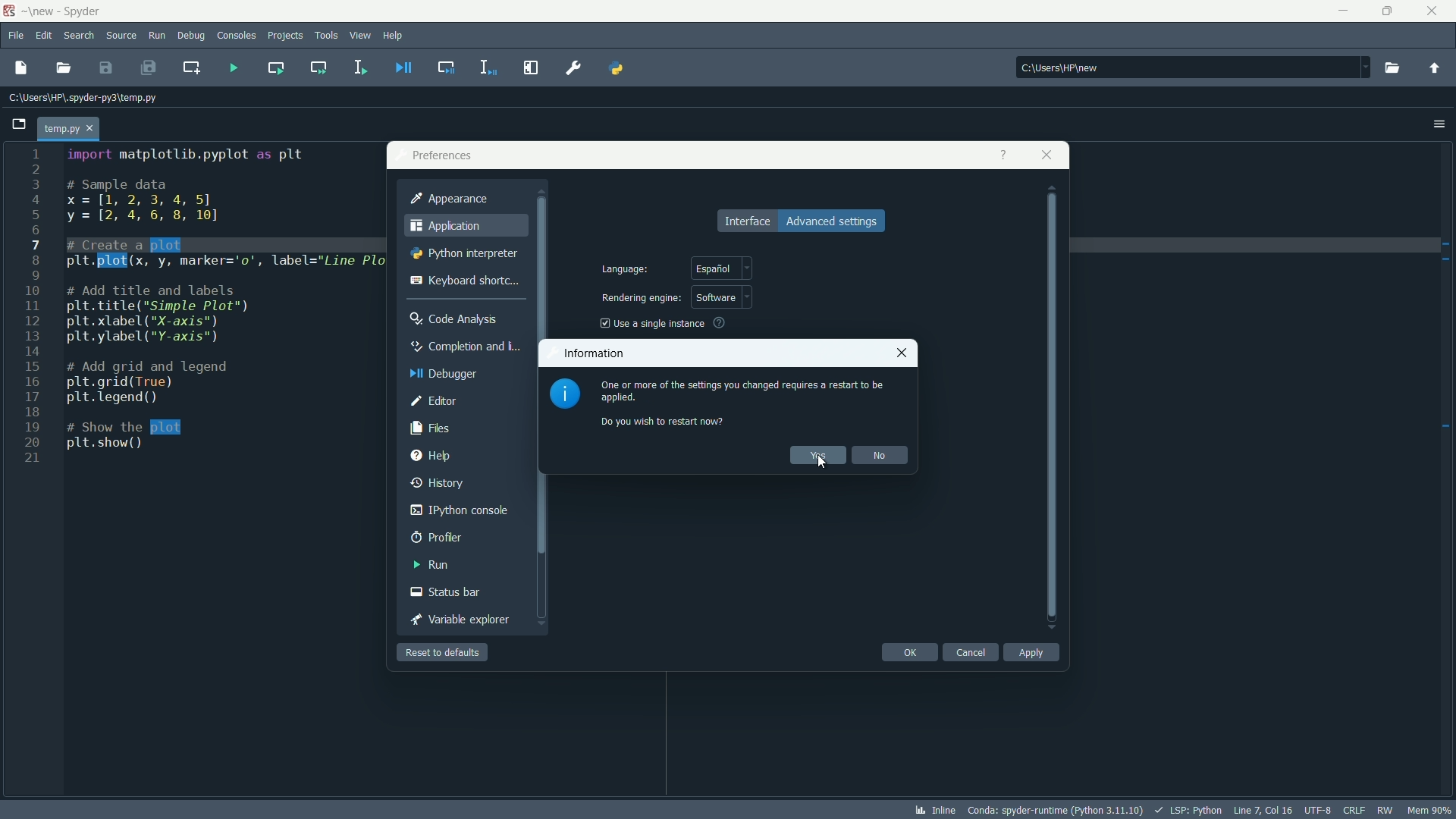  What do you see at coordinates (742, 401) in the screenshot?
I see `One or more of the settings you changed requires a restart to be
applied.
Do you wish to restart now?` at bounding box center [742, 401].